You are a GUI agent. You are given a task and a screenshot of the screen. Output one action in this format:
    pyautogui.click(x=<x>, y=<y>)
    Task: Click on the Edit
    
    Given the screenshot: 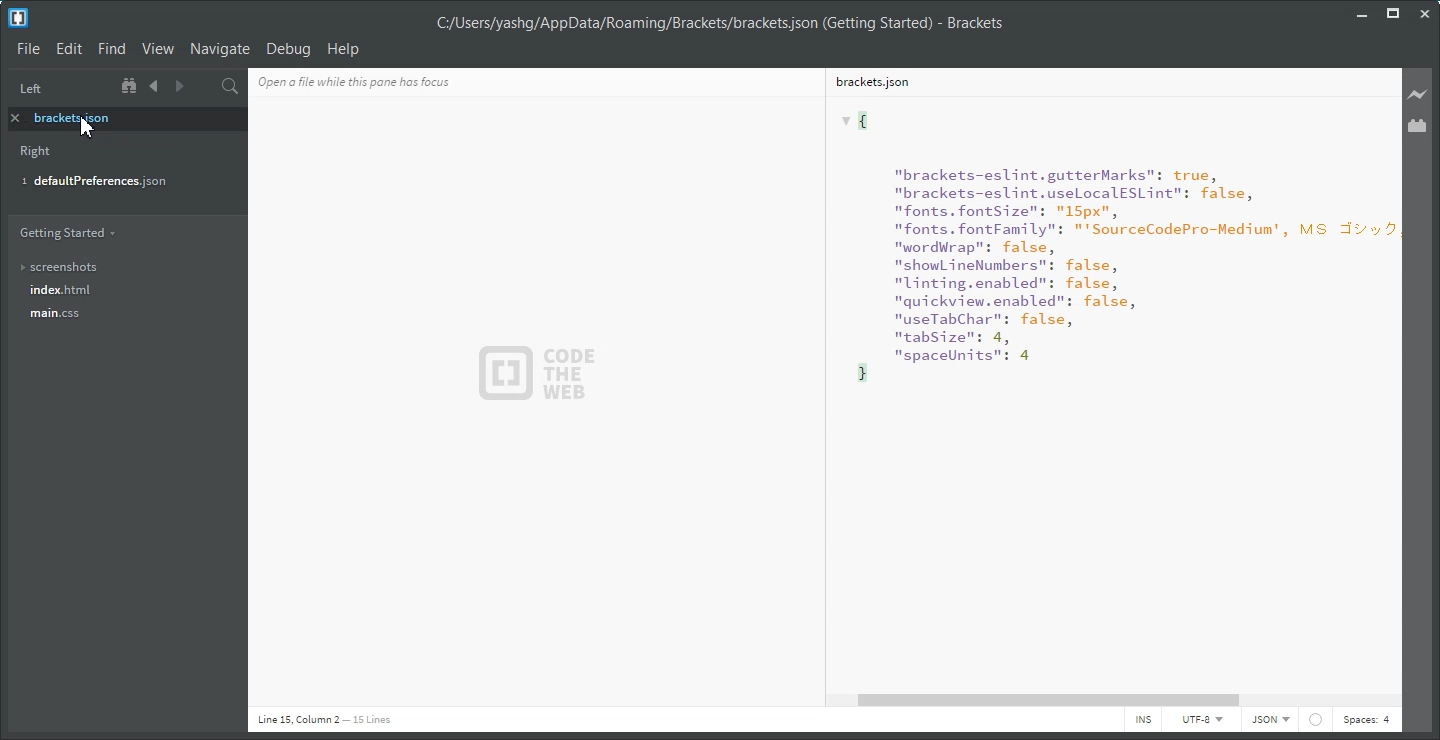 What is the action you would take?
    pyautogui.click(x=70, y=49)
    